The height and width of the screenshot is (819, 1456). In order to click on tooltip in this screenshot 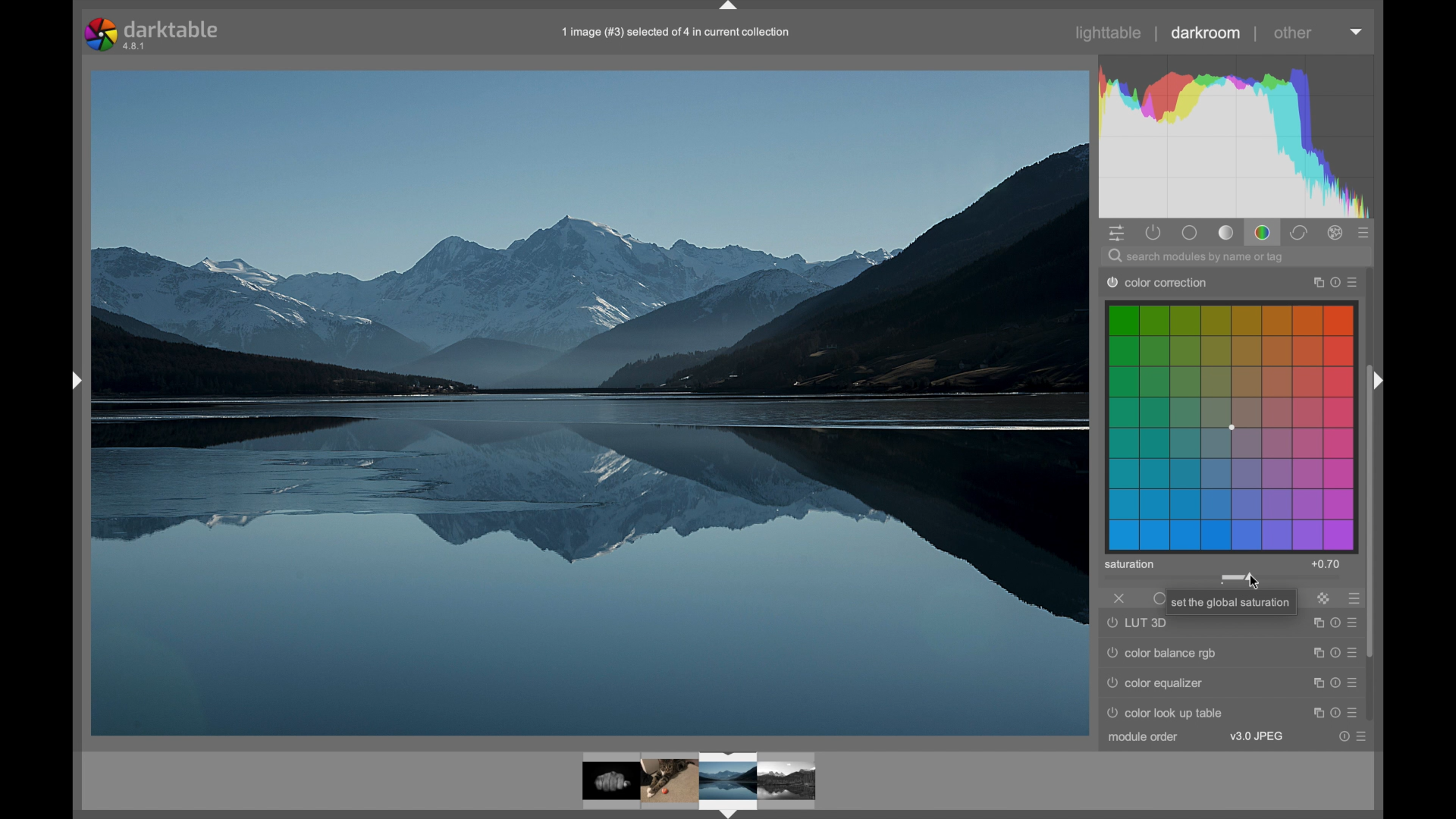, I will do `click(1239, 601)`.